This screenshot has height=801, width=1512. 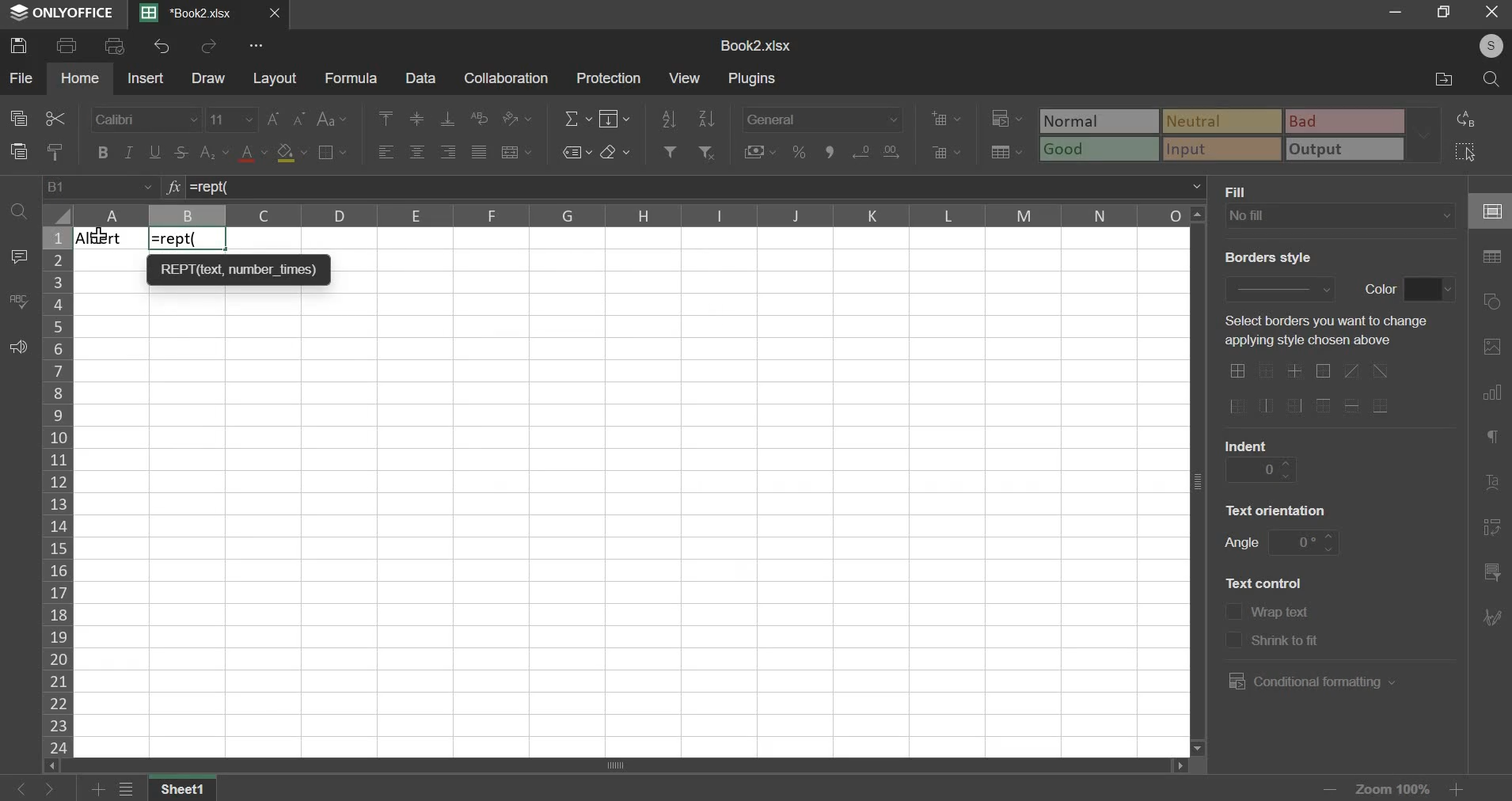 What do you see at coordinates (1489, 210) in the screenshot?
I see `cell settings` at bounding box center [1489, 210].